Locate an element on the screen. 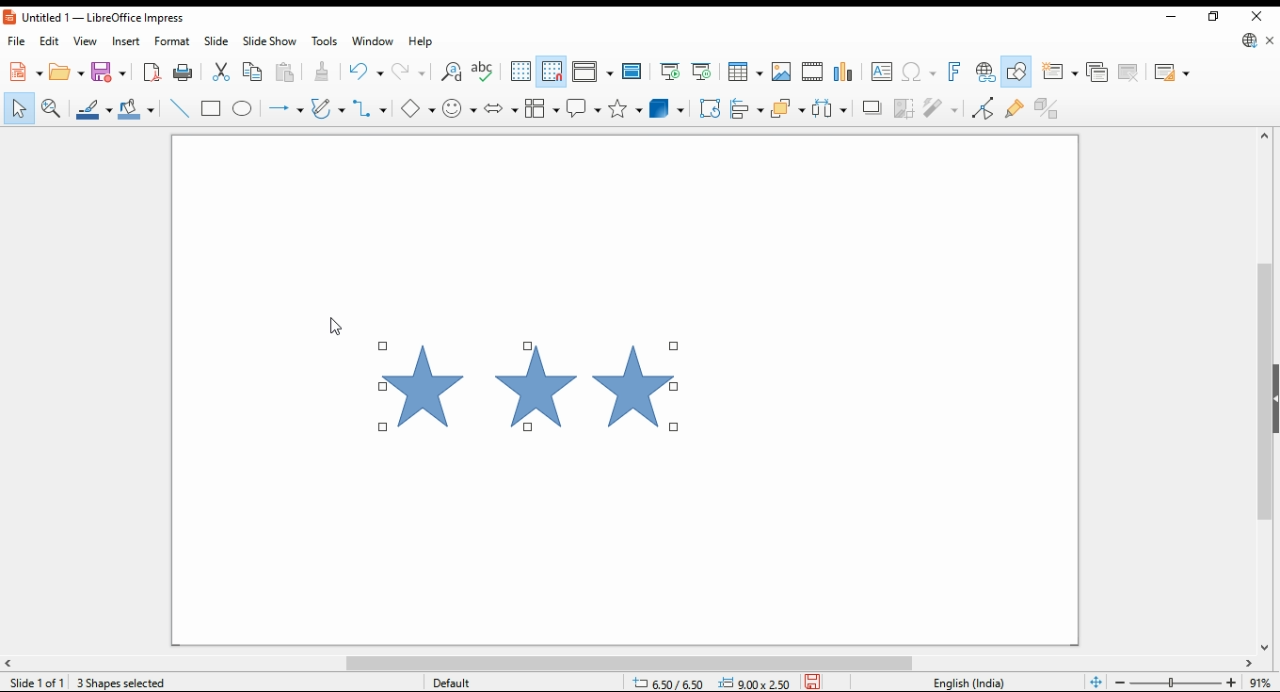  crop is located at coordinates (903, 108).